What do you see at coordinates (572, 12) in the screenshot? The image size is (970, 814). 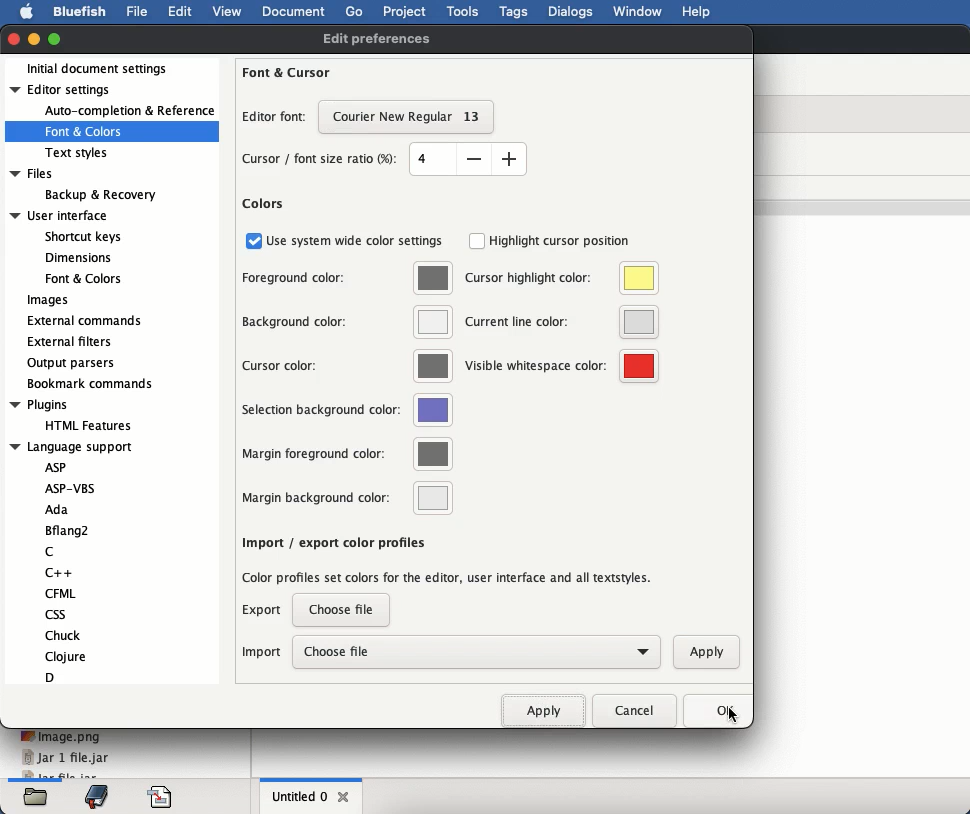 I see `dialogs` at bounding box center [572, 12].